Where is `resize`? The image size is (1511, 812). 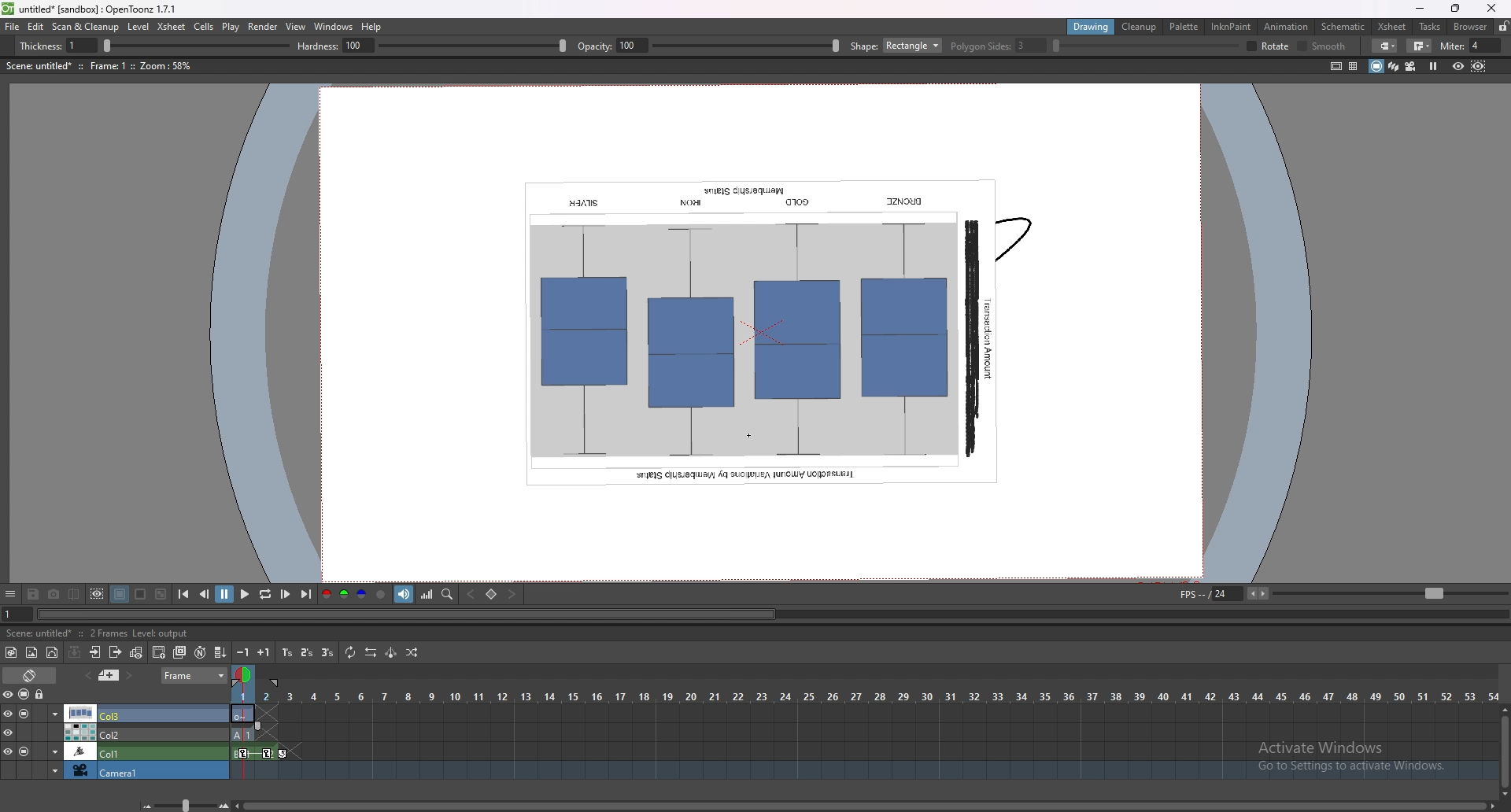
resize is located at coordinates (1455, 9).